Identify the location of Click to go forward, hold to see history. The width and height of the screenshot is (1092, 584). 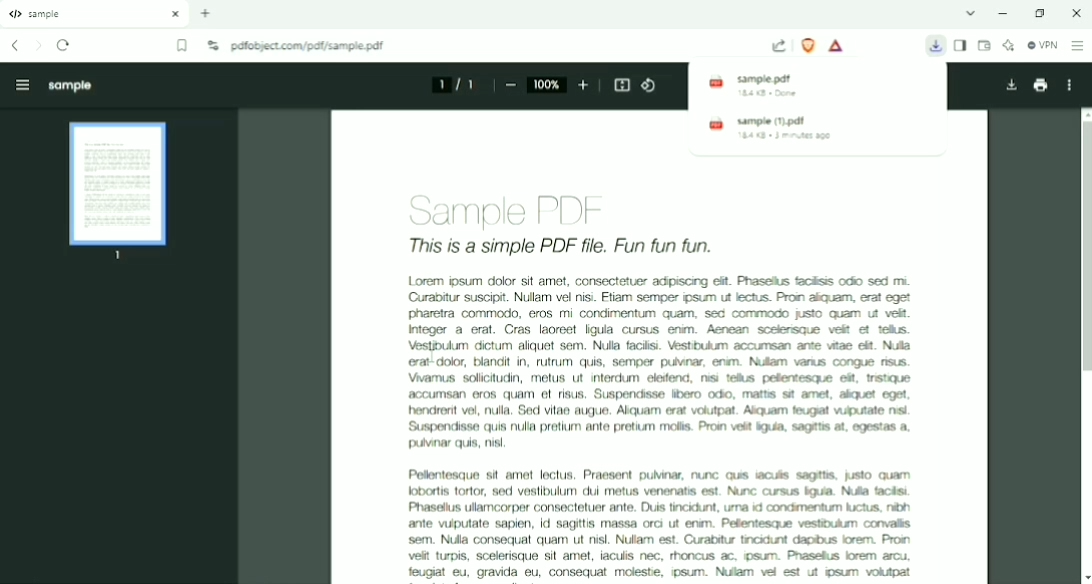
(38, 46).